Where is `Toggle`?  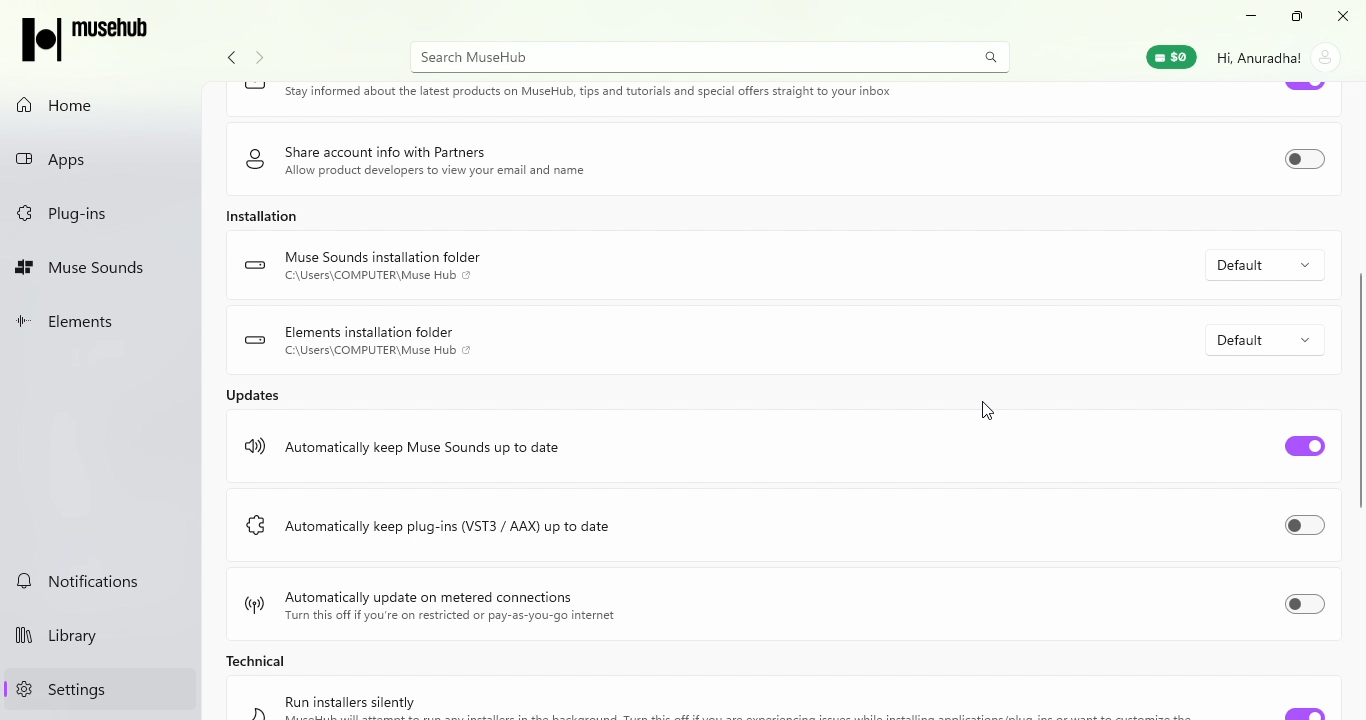
Toggle is located at coordinates (1306, 523).